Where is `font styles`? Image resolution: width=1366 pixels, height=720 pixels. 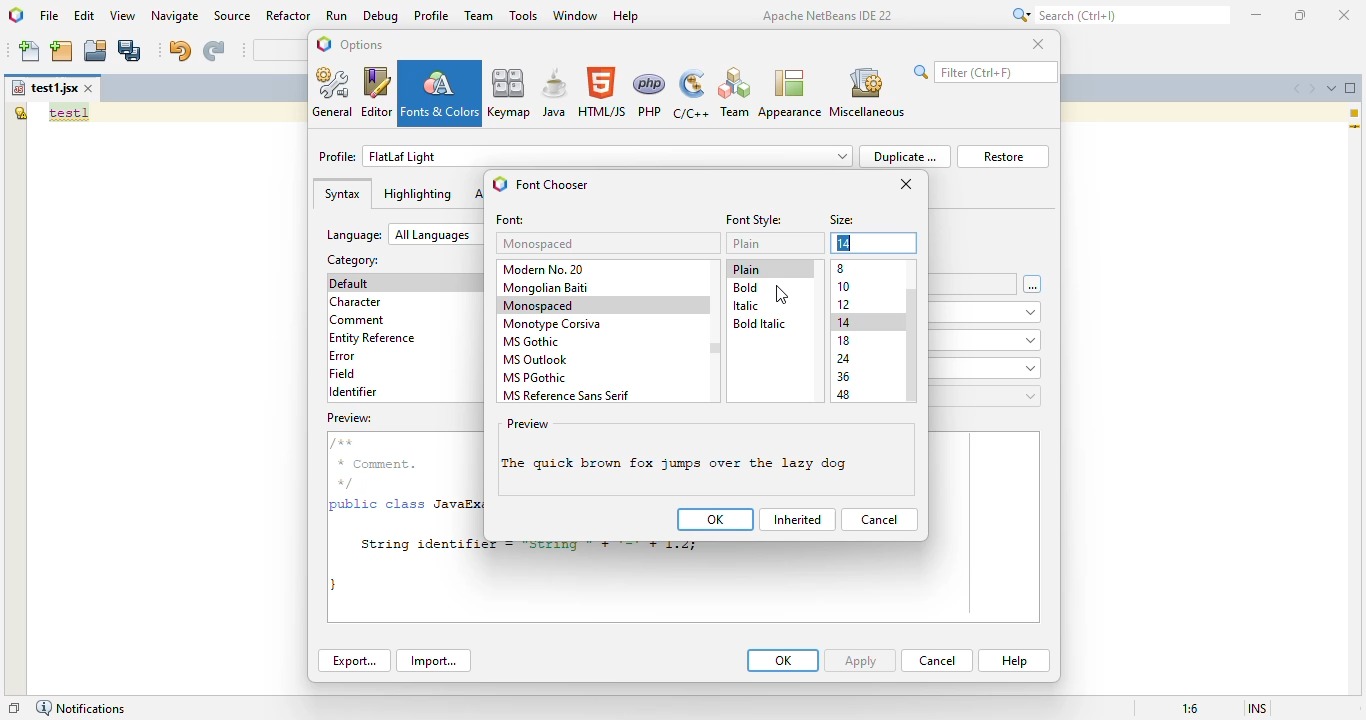 font styles is located at coordinates (755, 220).